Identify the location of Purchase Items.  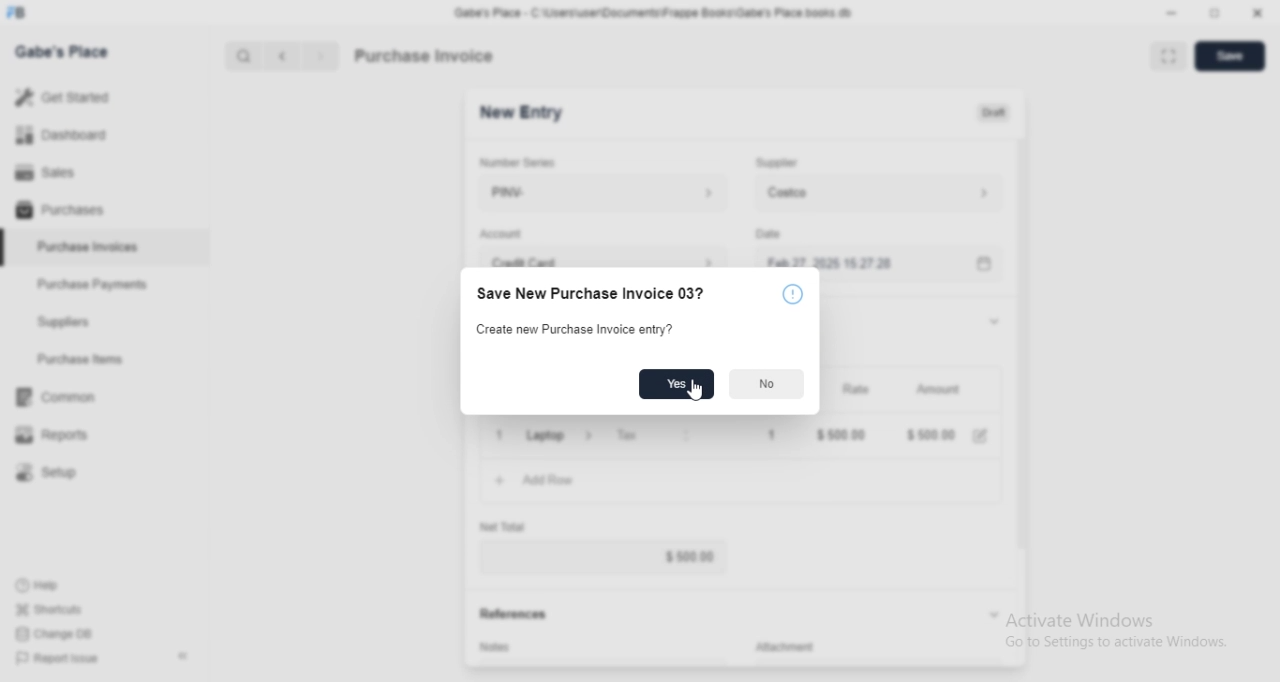
(105, 359).